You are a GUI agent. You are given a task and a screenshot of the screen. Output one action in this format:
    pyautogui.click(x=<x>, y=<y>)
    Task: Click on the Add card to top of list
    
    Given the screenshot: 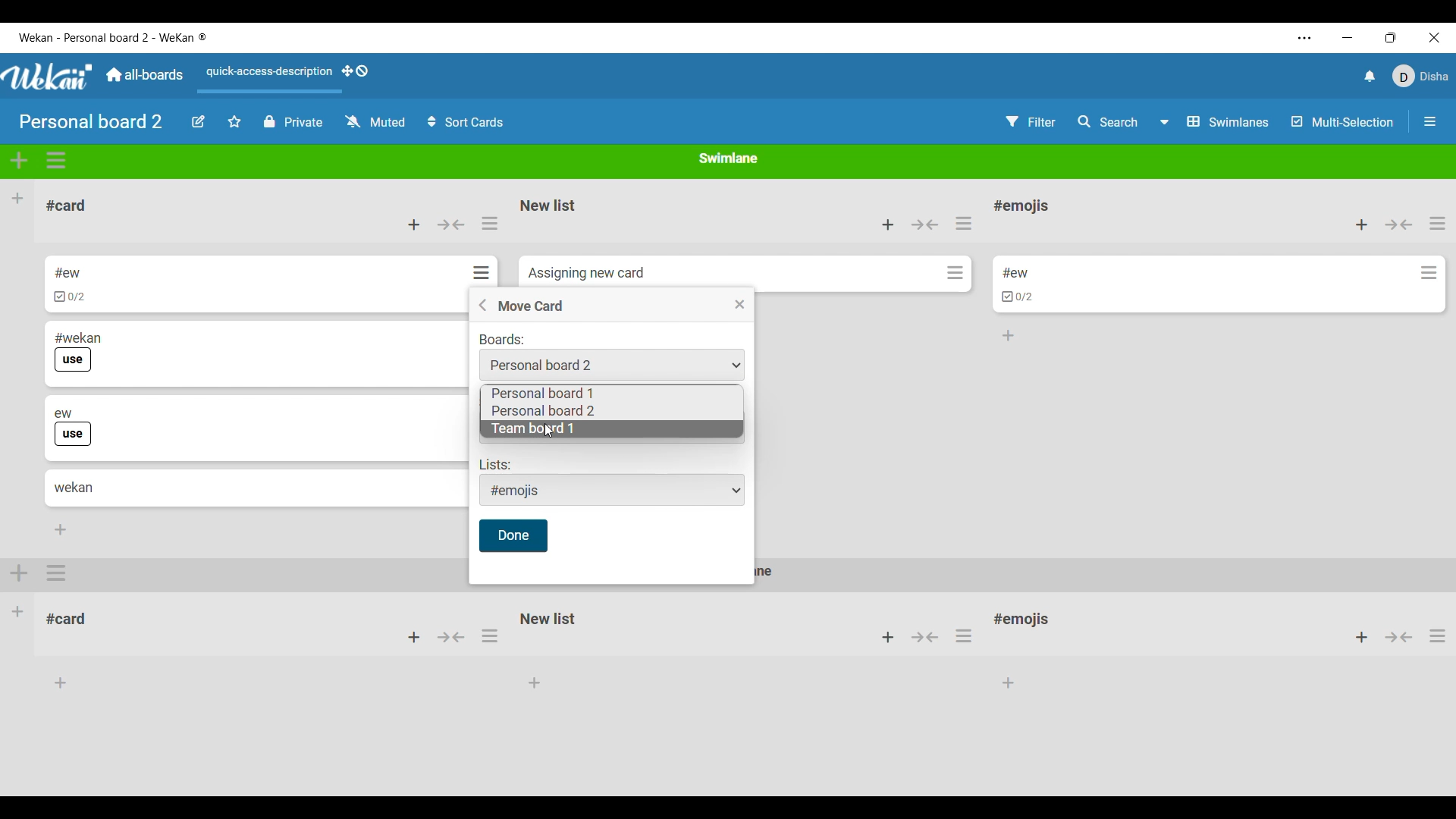 What is the action you would take?
    pyautogui.click(x=1362, y=225)
    